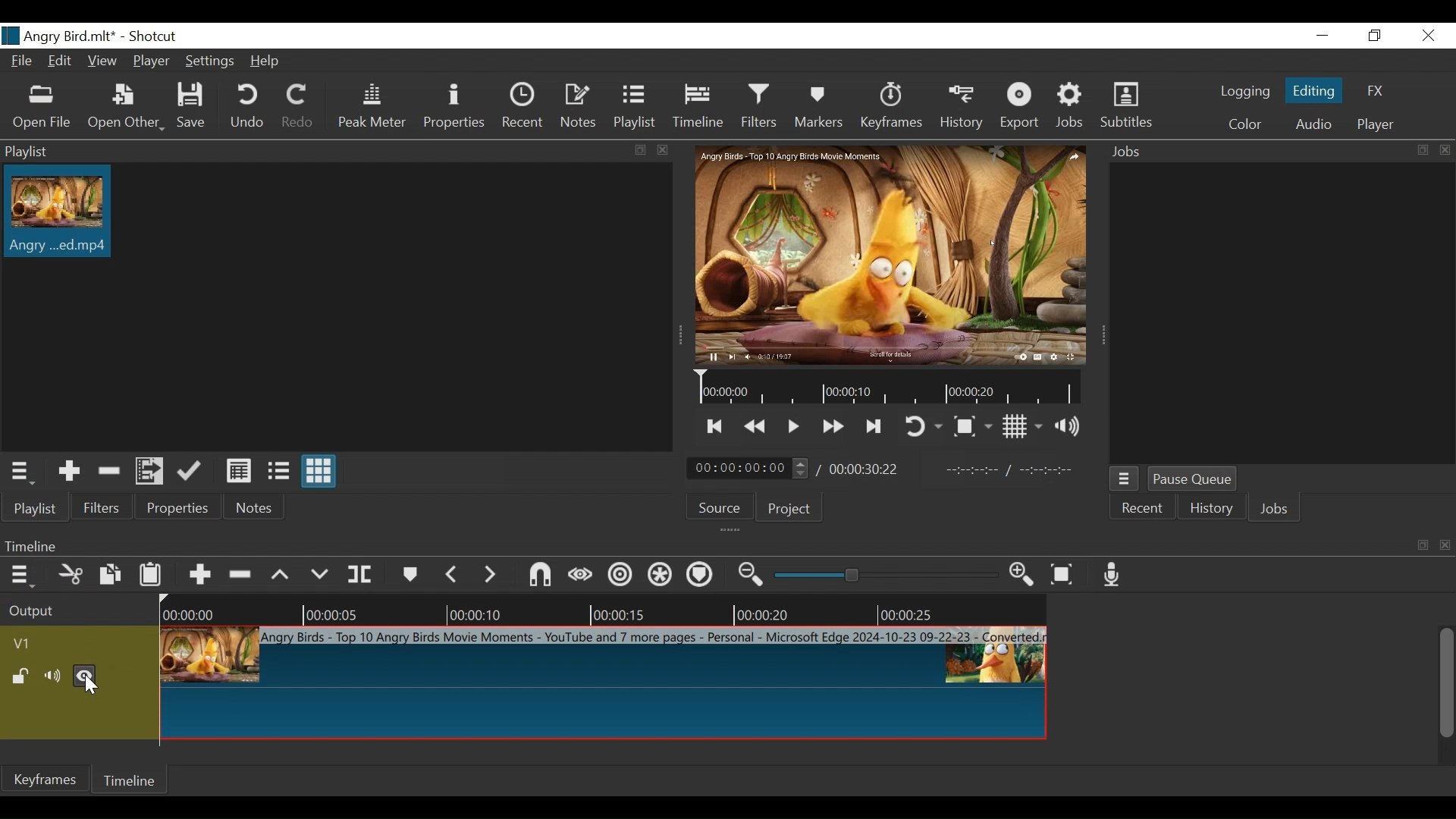  What do you see at coordinates (1021, 106) in the screenshot?
I see `Export` at bounding box center [1021, 106].